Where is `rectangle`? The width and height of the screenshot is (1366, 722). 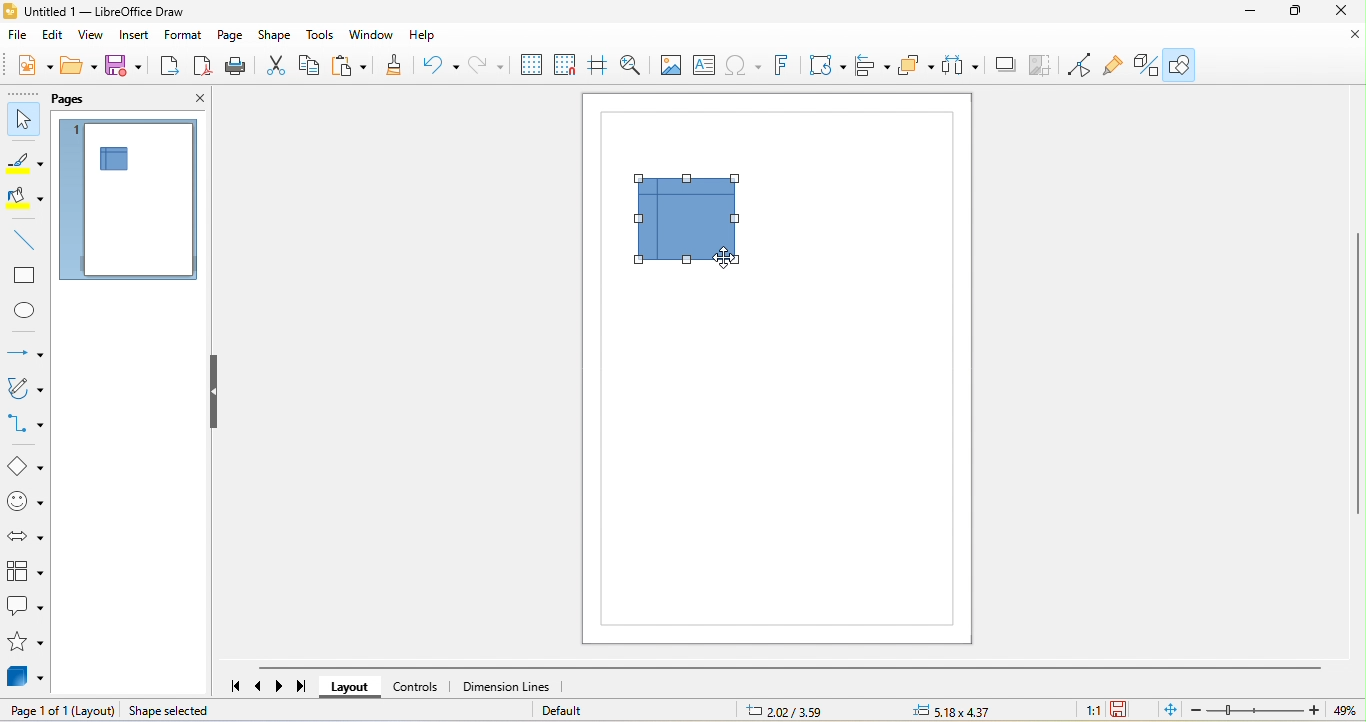 rectangle is located at coordinates (25, 275).